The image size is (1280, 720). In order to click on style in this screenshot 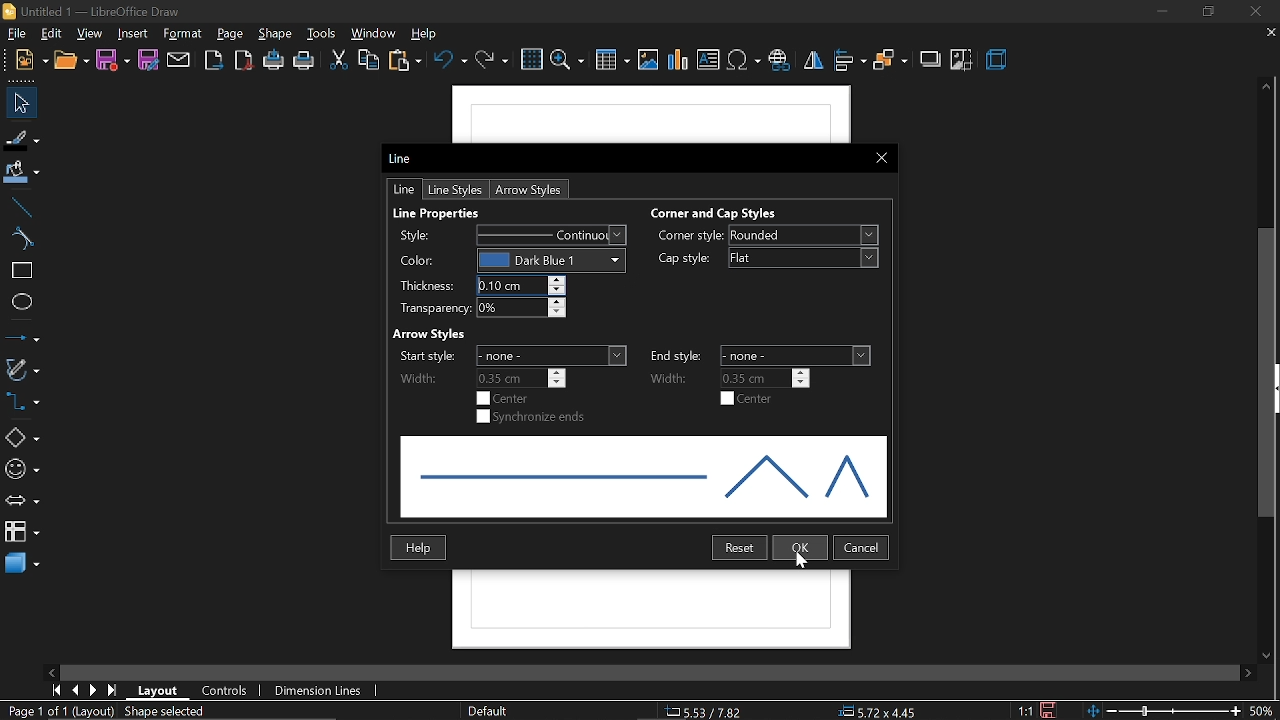, I will do `click(555, 235)`.